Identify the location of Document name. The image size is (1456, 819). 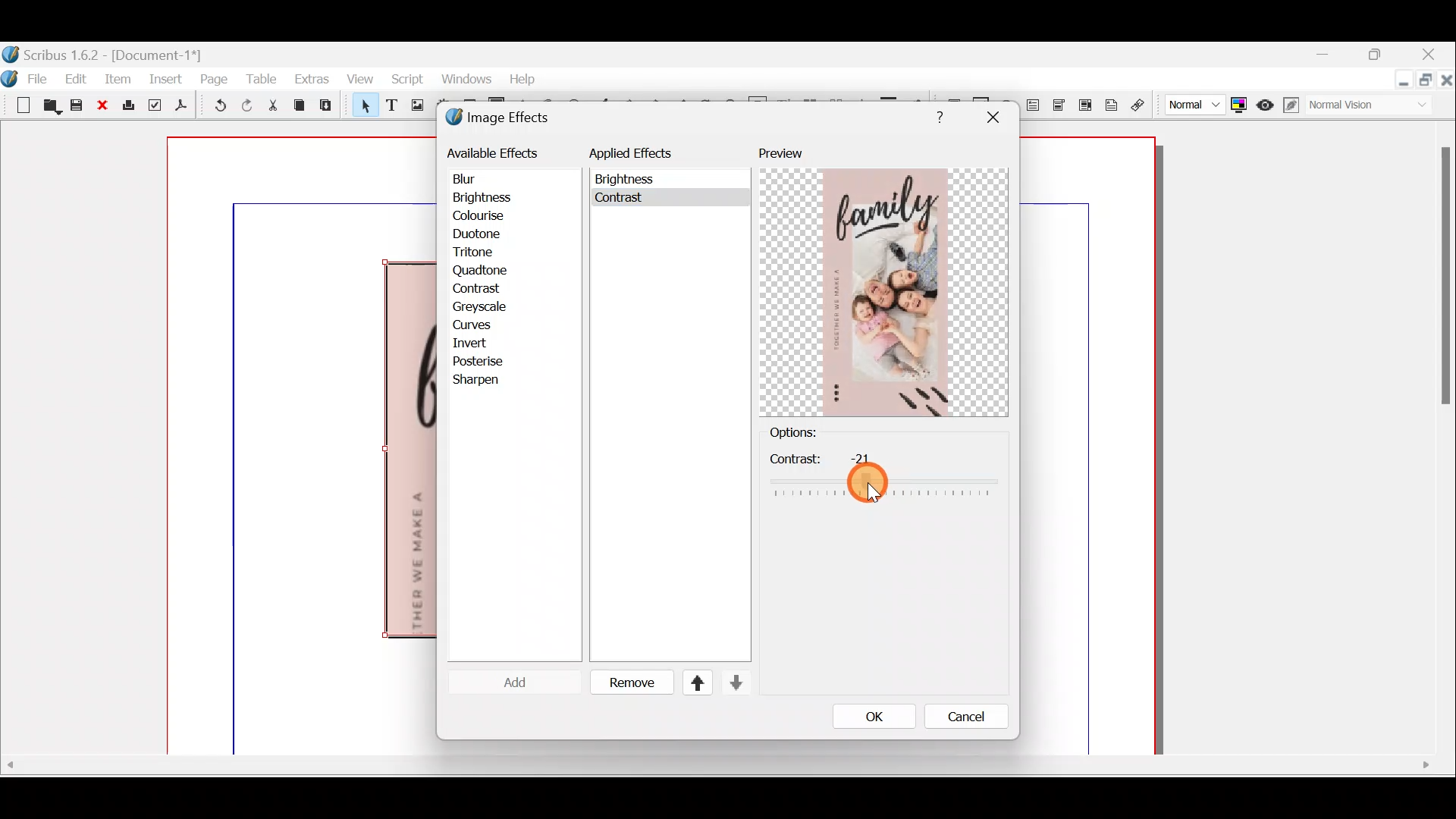
(104, 53).